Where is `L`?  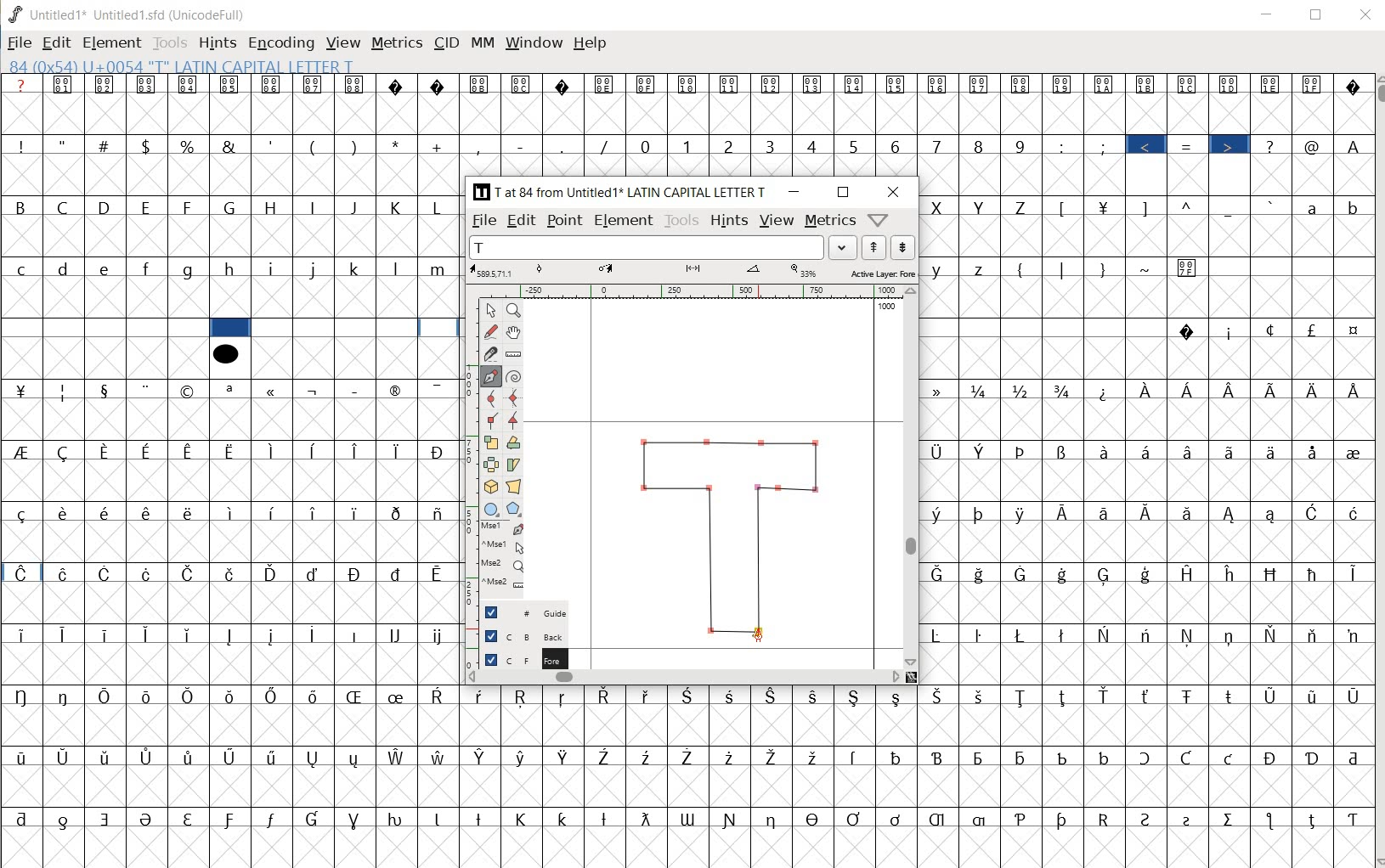 L is located at coordinates (440, 206).